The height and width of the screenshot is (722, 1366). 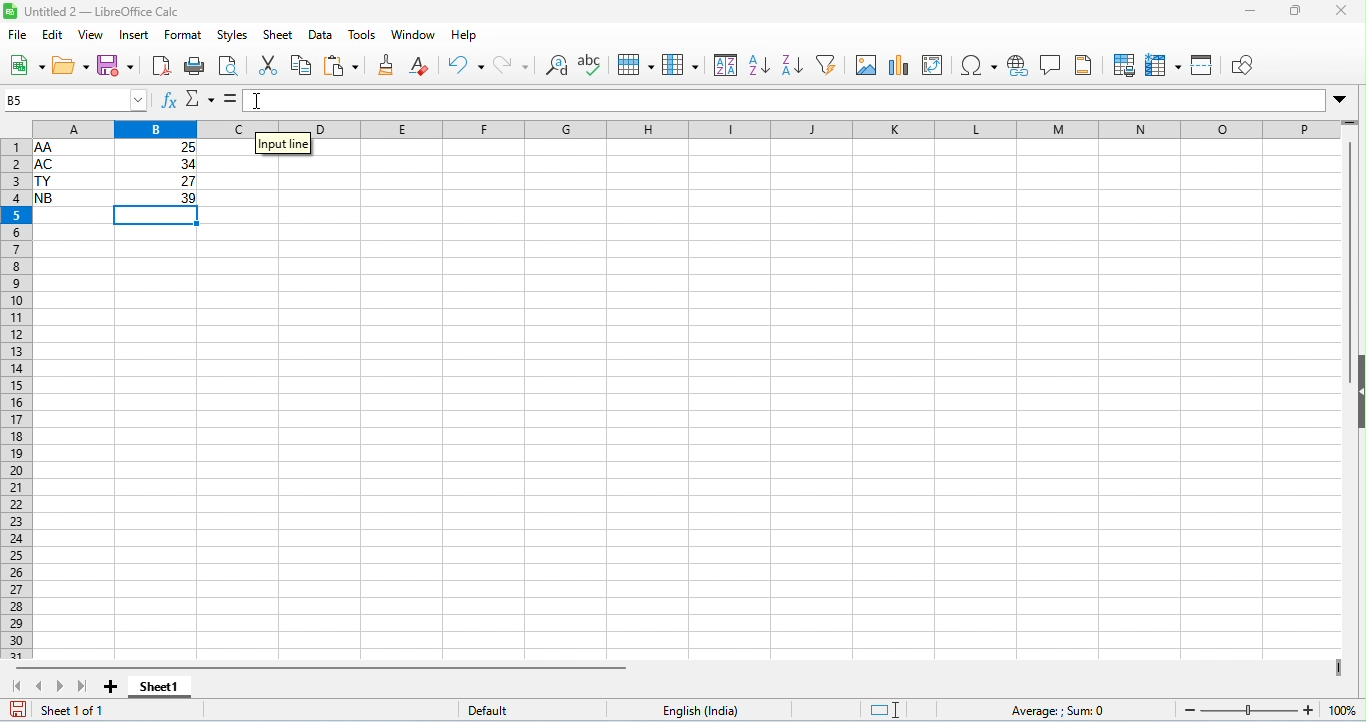 I want to click on standard selection, so click(x=887, y=710).